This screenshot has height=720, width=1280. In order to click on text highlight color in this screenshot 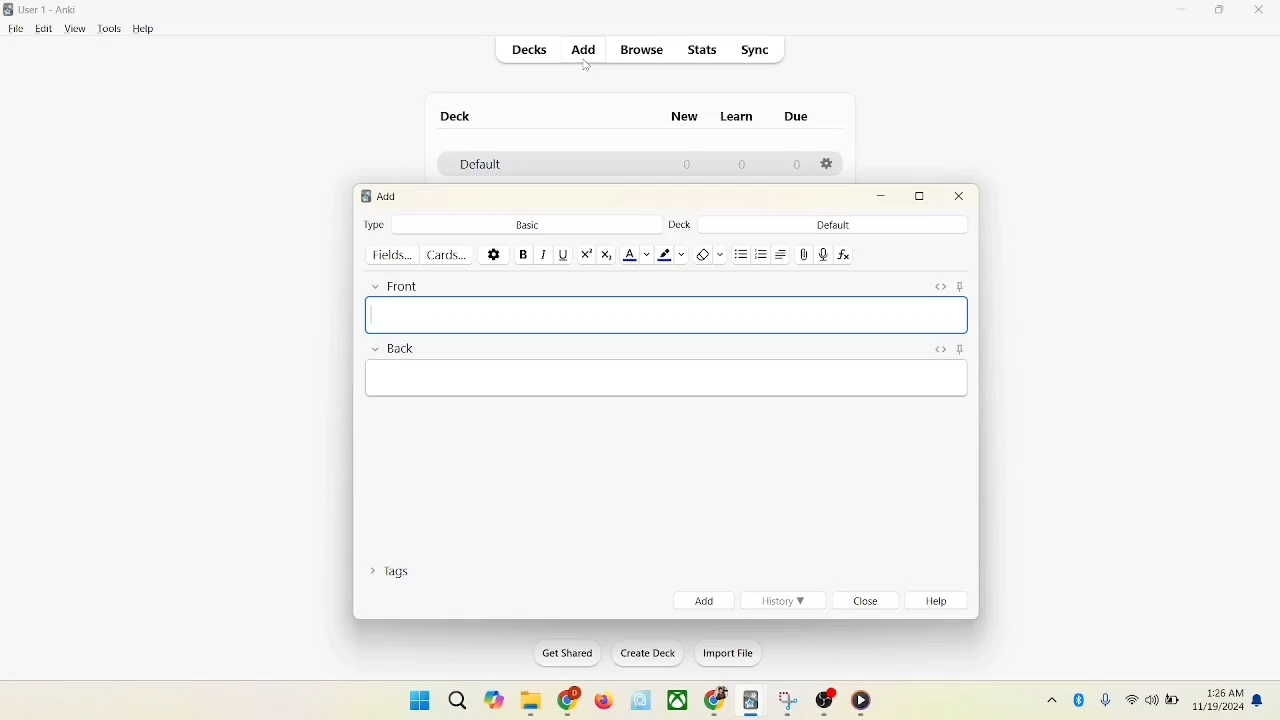, I will do `click(670, 254)`.